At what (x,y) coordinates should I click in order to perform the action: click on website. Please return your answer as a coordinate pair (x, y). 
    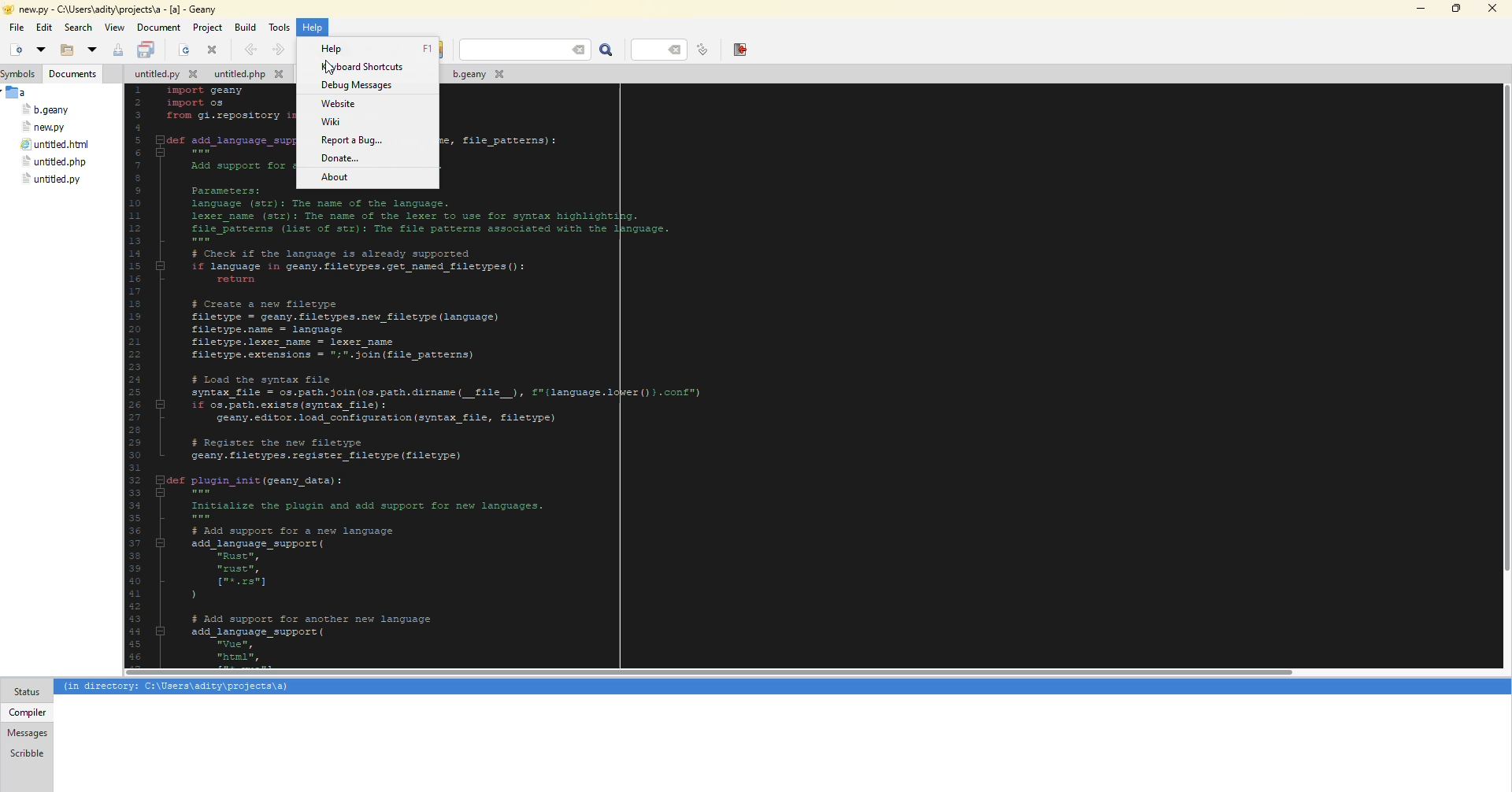
    Looking at the image, I should click on (335, 103).